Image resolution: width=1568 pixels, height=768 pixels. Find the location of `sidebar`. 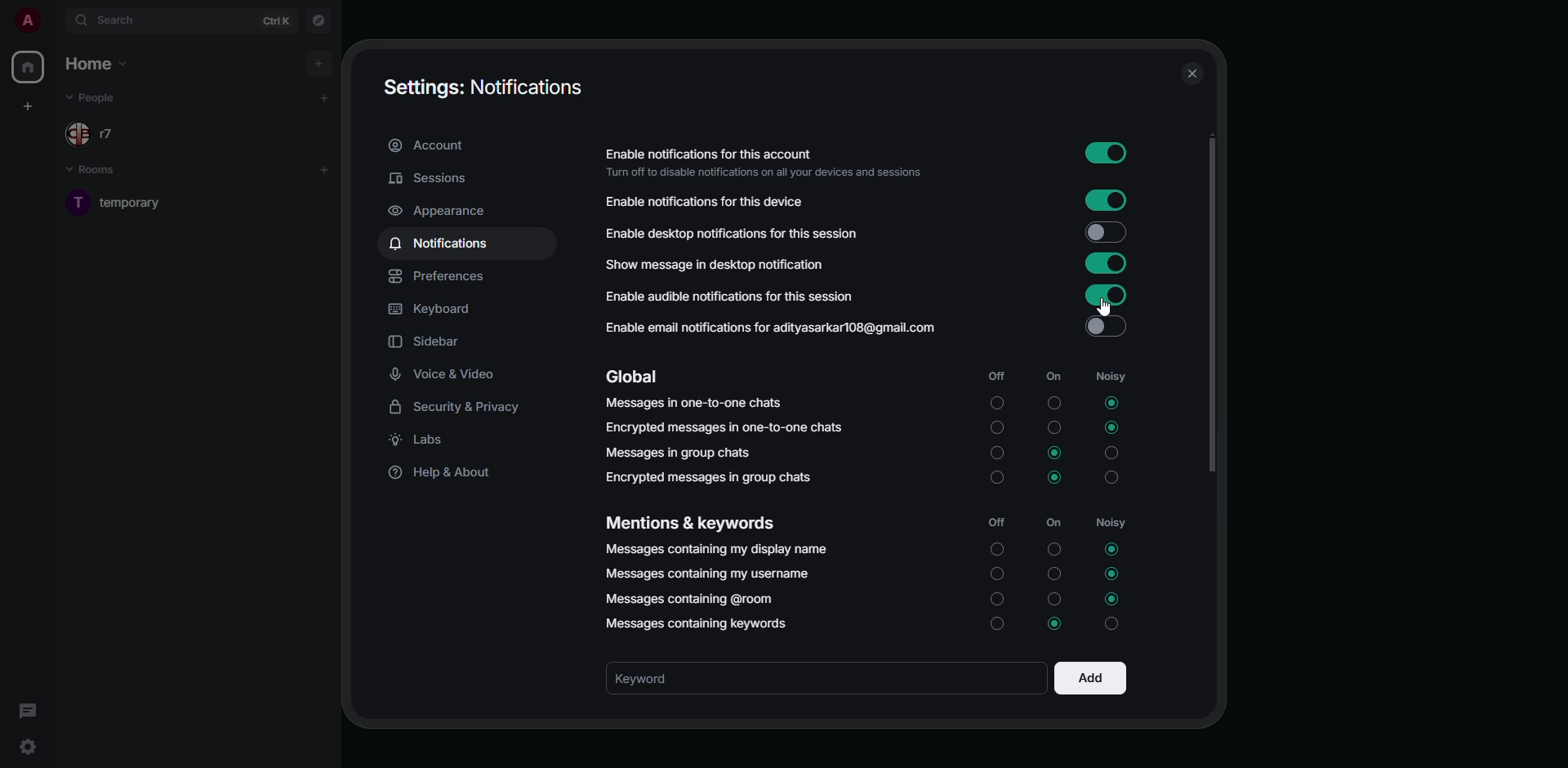

sidebar is located at coordinates (429, 342).